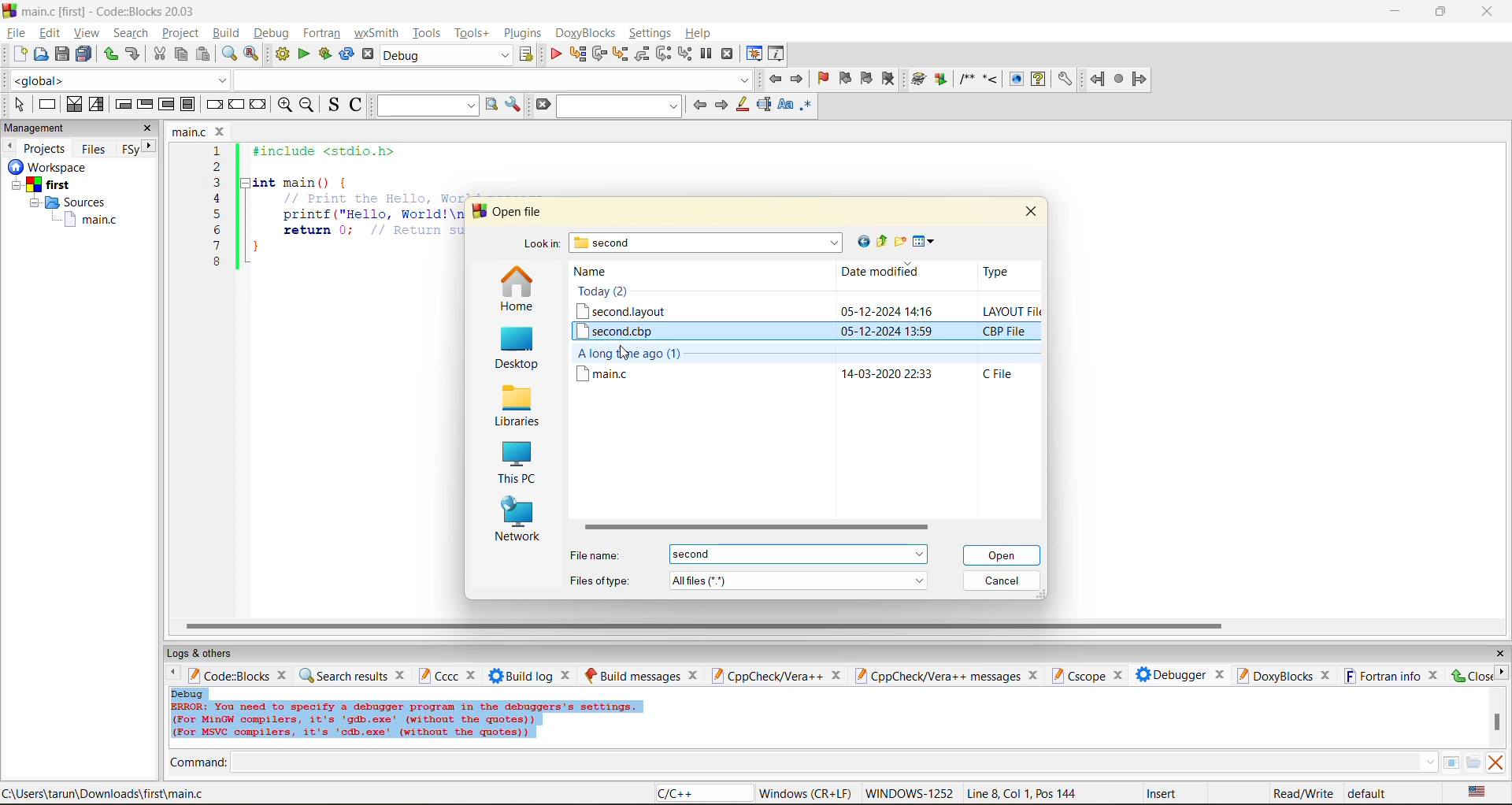 This screenshot has width=1512, height=805. What do you see at coordinates (521, 676) in the screenshot?
I see `build log` at bounding box center [521, 676].